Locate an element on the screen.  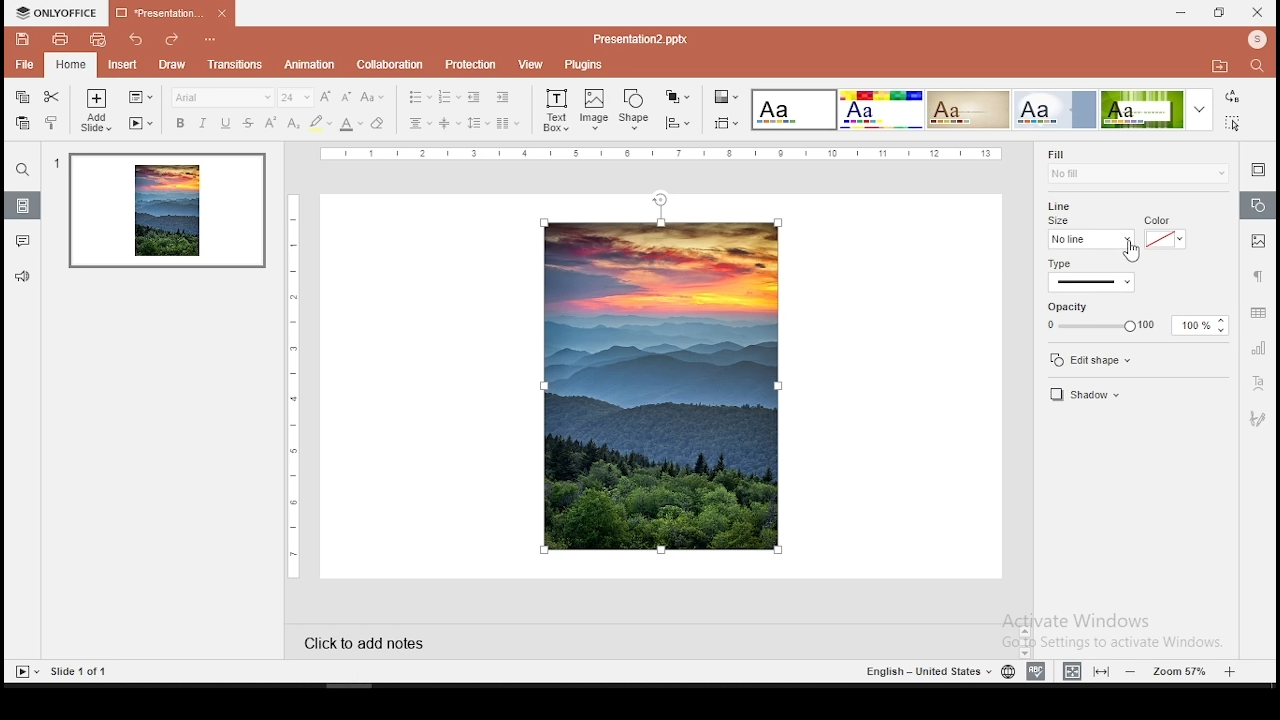
theme  is located at coordinates (1056, 109).